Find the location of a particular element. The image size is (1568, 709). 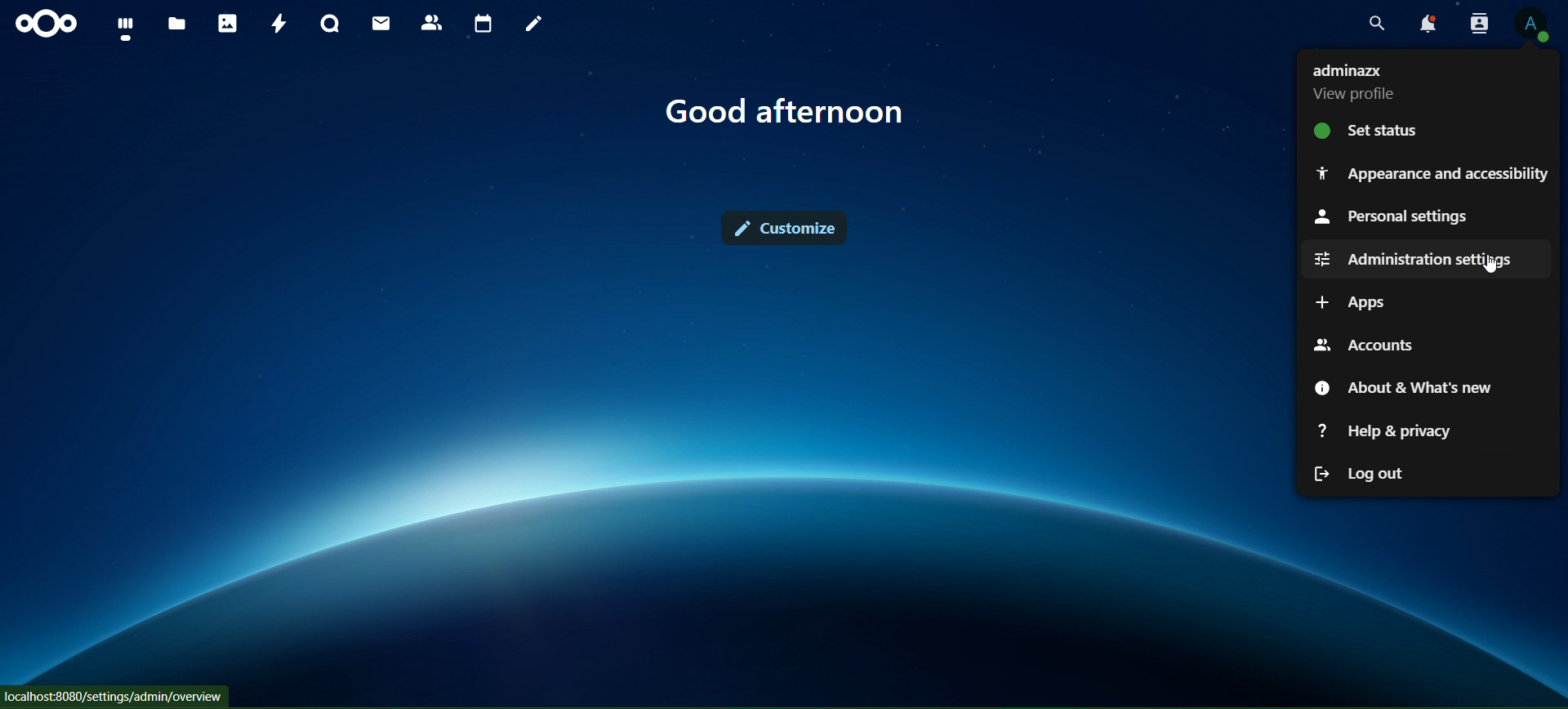

view profile is located at coordinates (1530, 25).